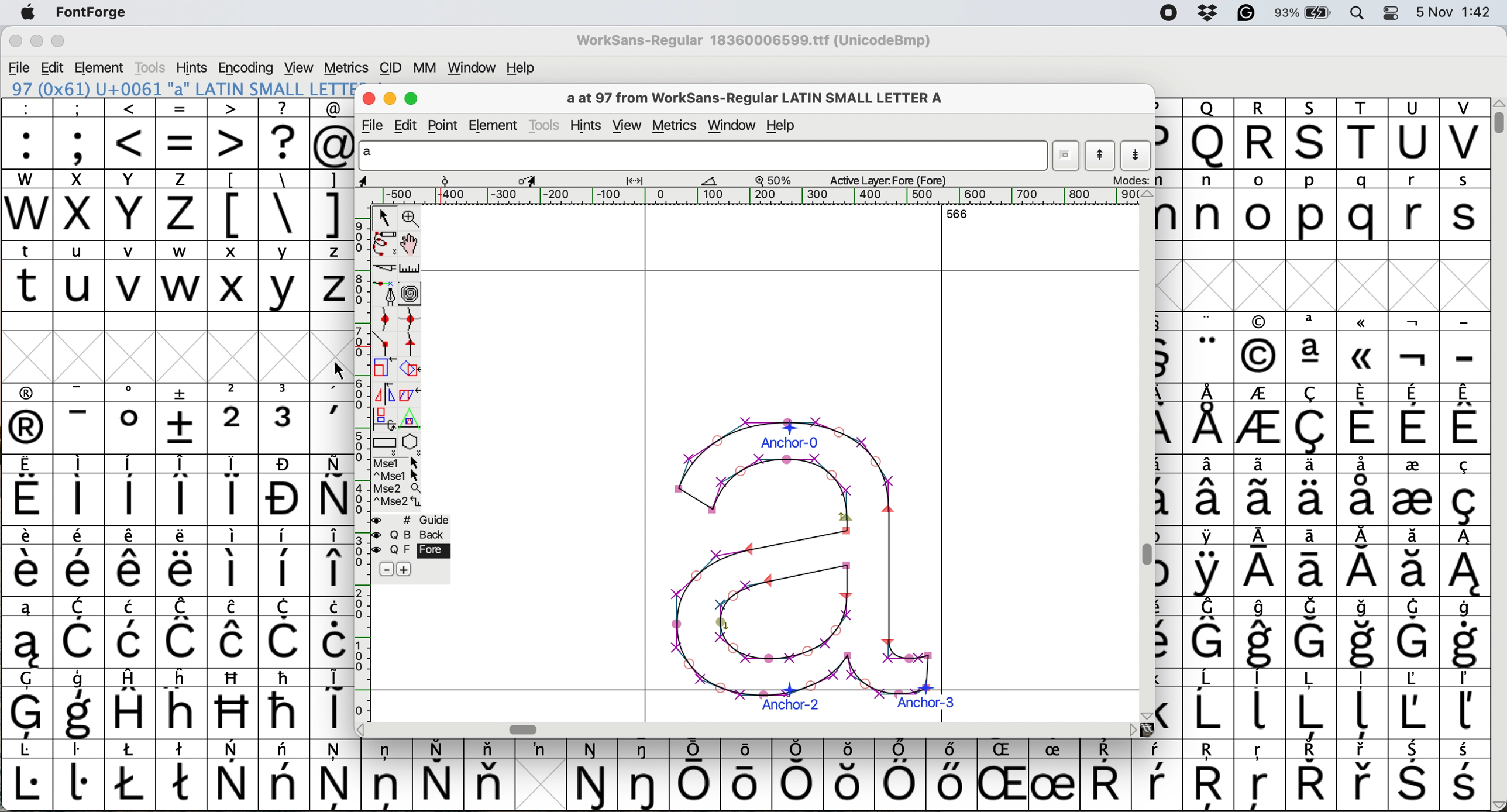 The image size is (1507, 812). What do you see at coordinates (443, 125) in the screenshot?
I see `point` at bounding box center [443, 125].